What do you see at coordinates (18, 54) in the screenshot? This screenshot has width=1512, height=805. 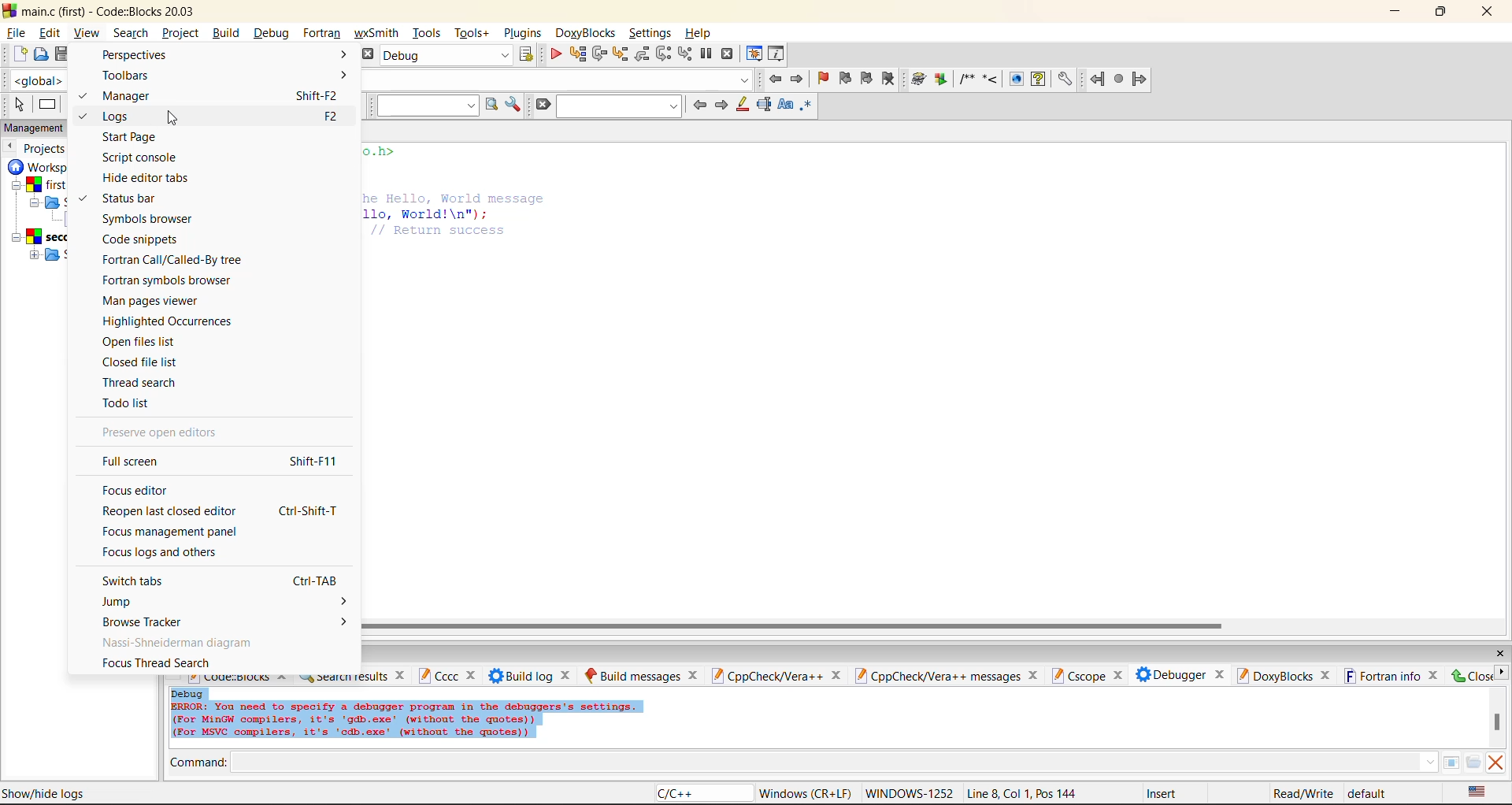 I see `new` at bounding box center [18, 54].